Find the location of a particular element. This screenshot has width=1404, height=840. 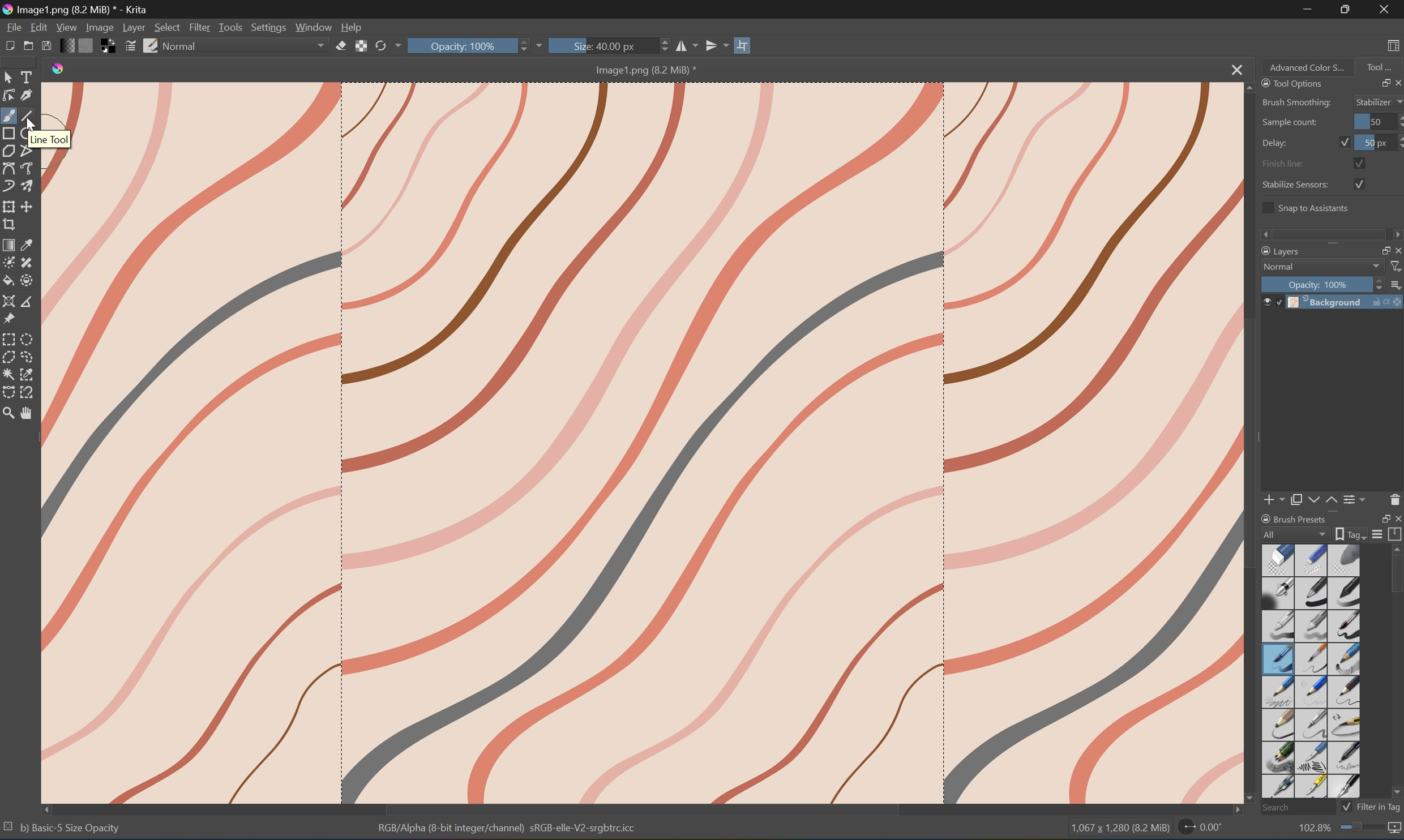

Ellipse tool is located at coordinates (29, 131).